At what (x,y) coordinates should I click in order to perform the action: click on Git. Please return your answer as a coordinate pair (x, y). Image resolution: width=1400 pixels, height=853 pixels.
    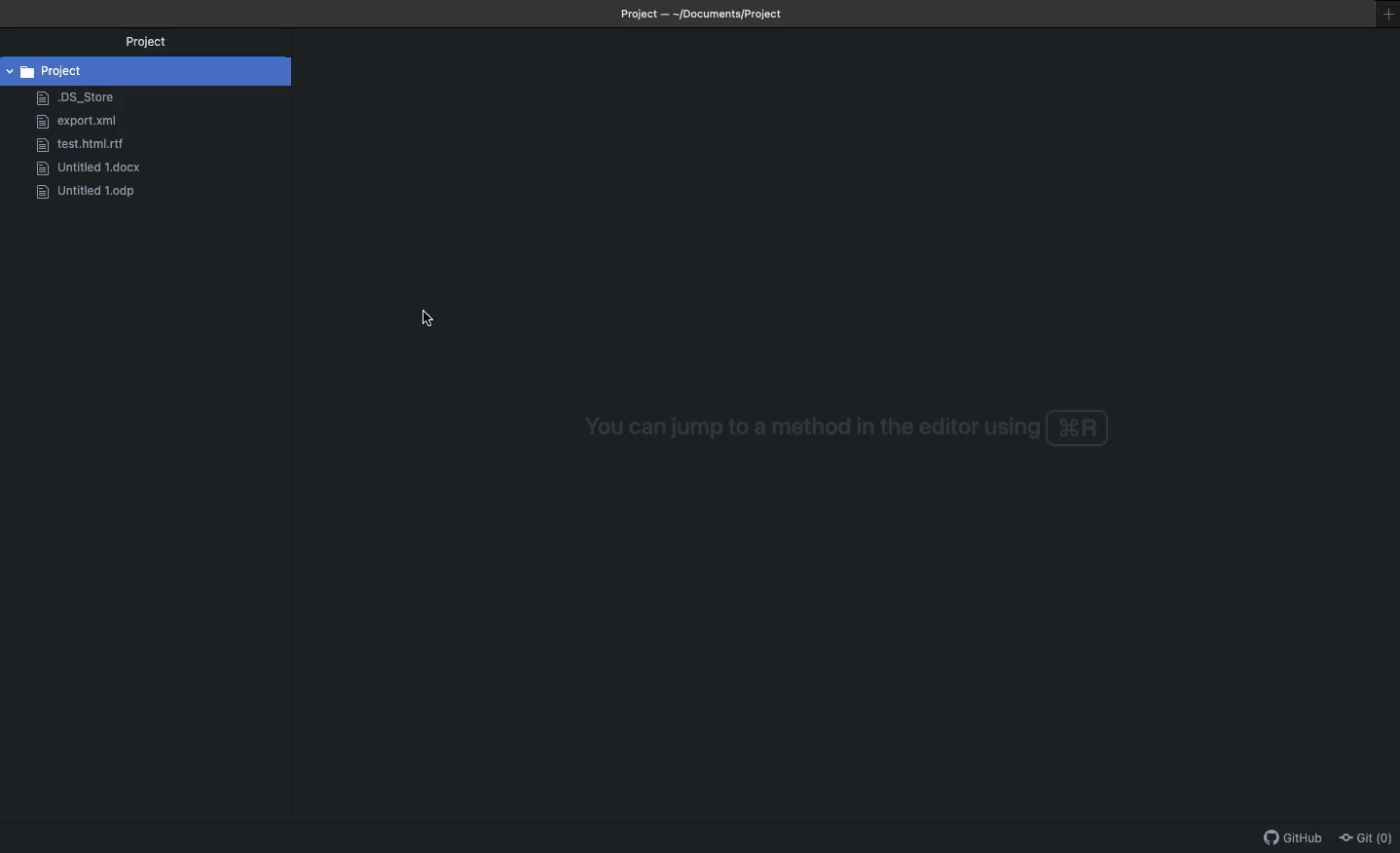
    Looking at the image, I should click on (1369, 836).